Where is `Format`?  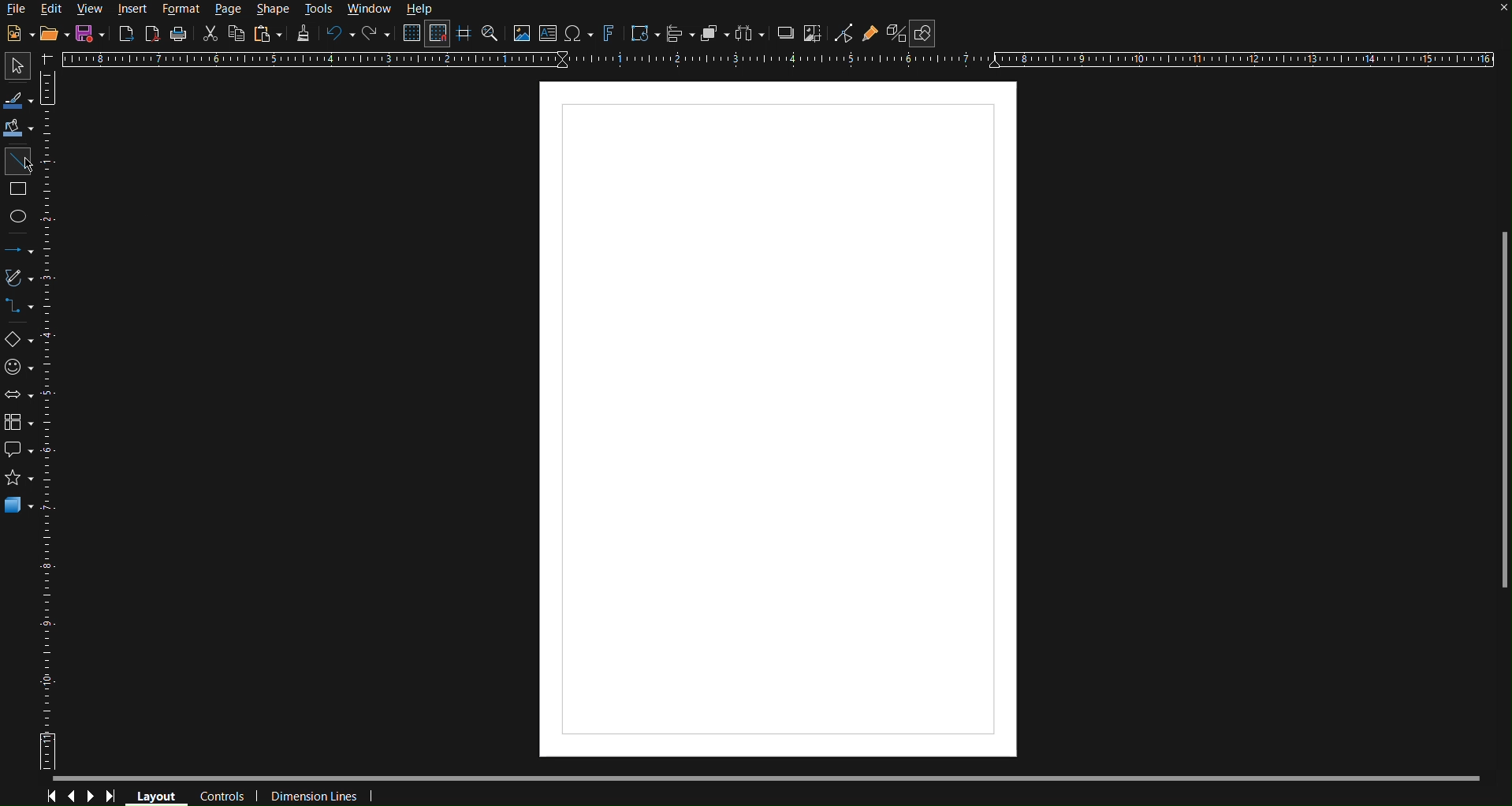
Format is located at coordinates (178, 9).